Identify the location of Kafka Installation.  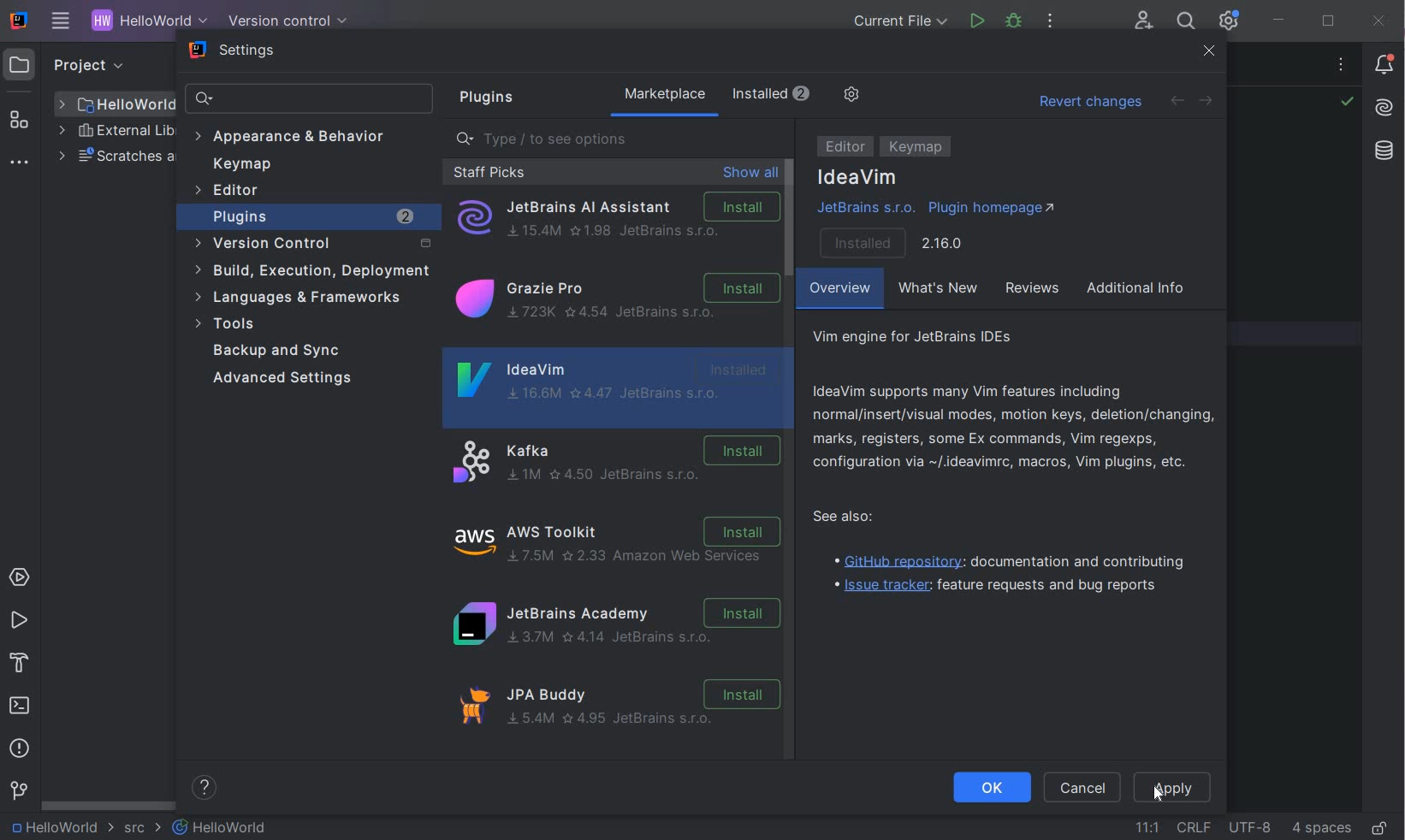
(614, 462).